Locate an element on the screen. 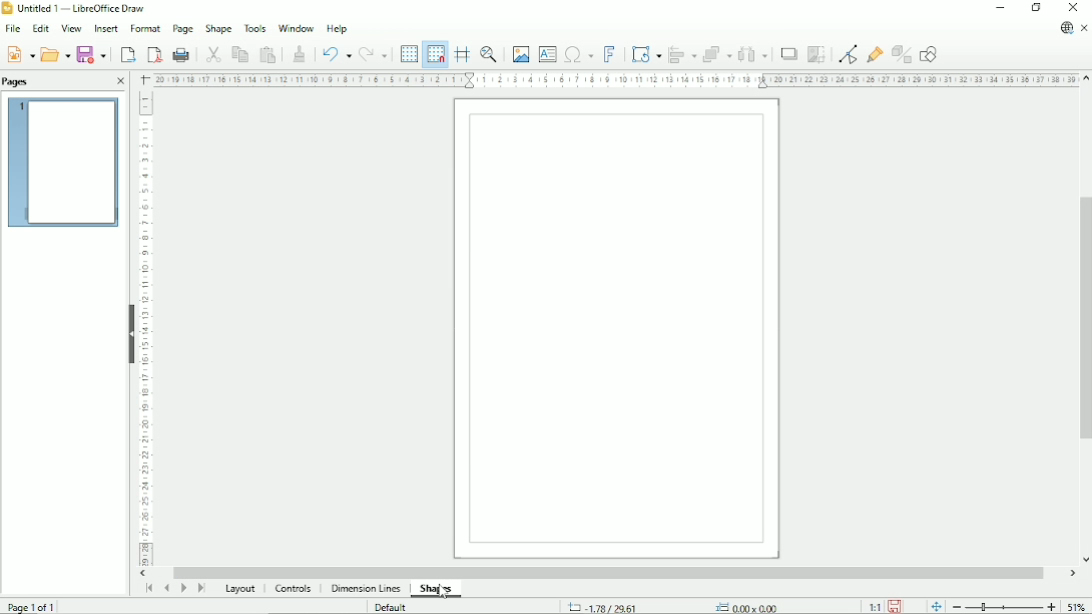  Minimize is located at coordinates (1002, 8).